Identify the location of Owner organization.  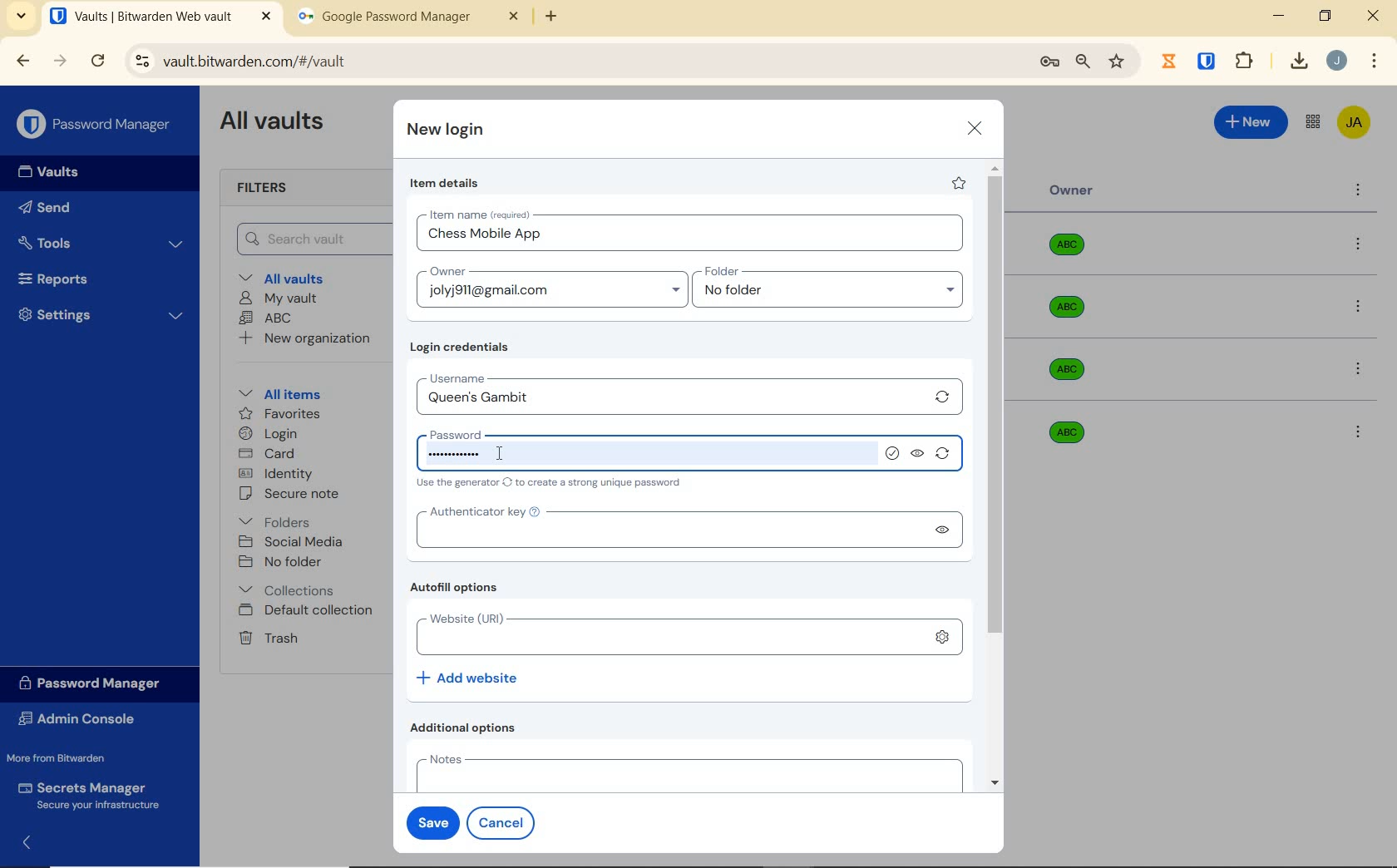
(1073, 369).